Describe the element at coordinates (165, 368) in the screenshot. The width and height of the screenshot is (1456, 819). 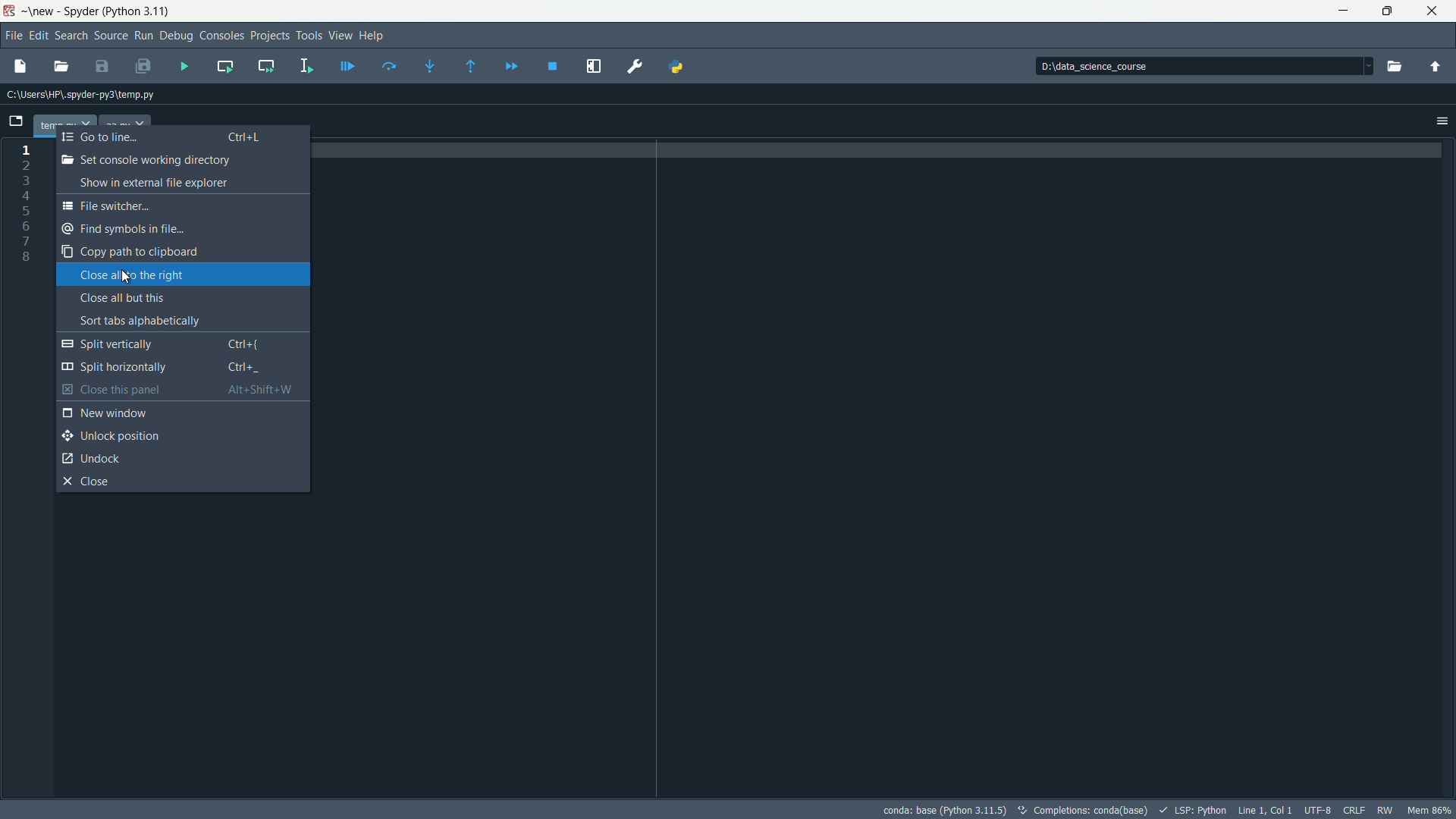
I see `split horizontally` at that location.